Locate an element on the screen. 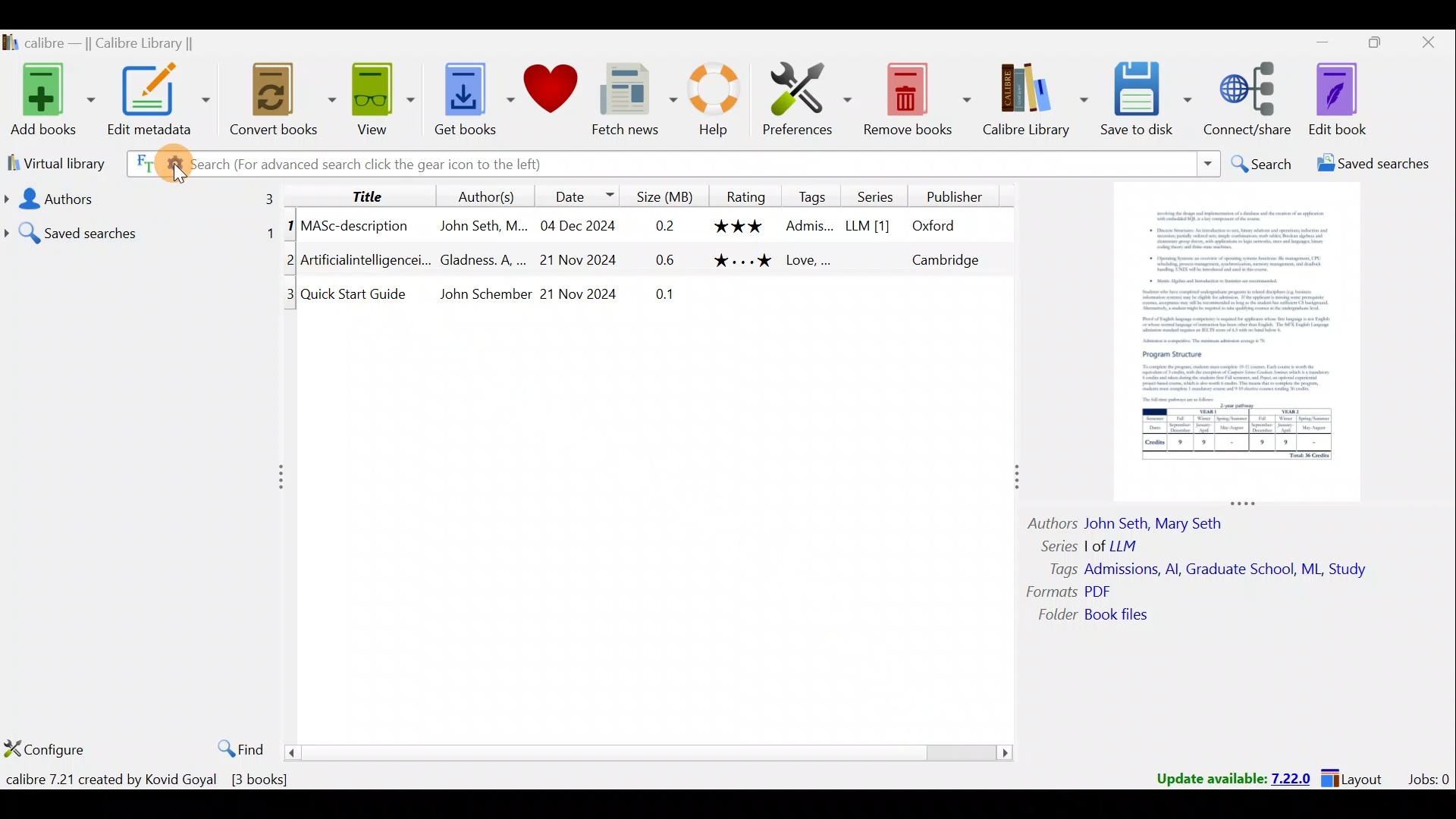  Authors is located at coordinates (142, 197).